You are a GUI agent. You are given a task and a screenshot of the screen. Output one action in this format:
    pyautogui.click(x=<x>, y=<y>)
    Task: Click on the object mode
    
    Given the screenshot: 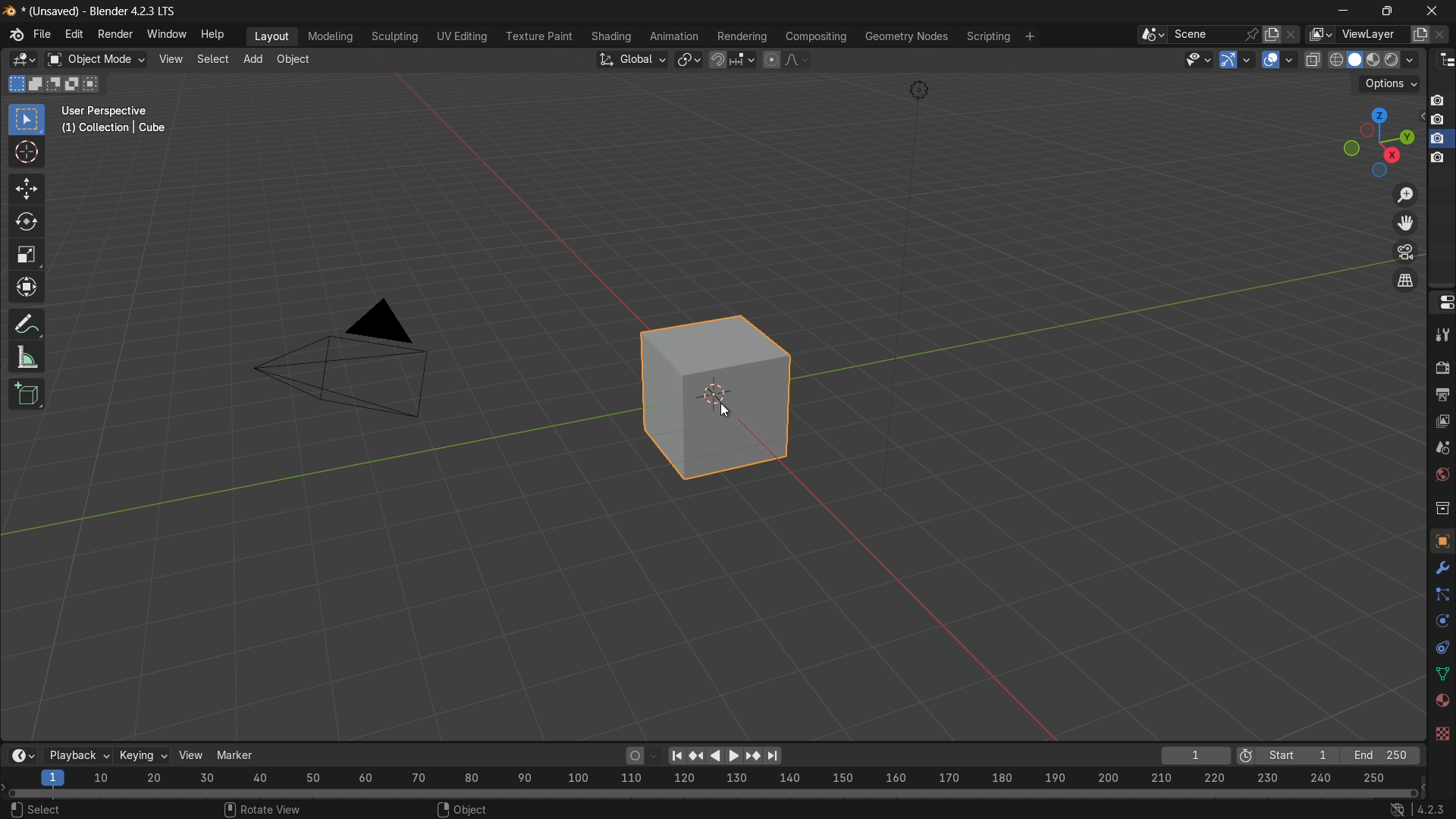 What is the action you would take?
    pyautogui.click(x=96, y=59)
    